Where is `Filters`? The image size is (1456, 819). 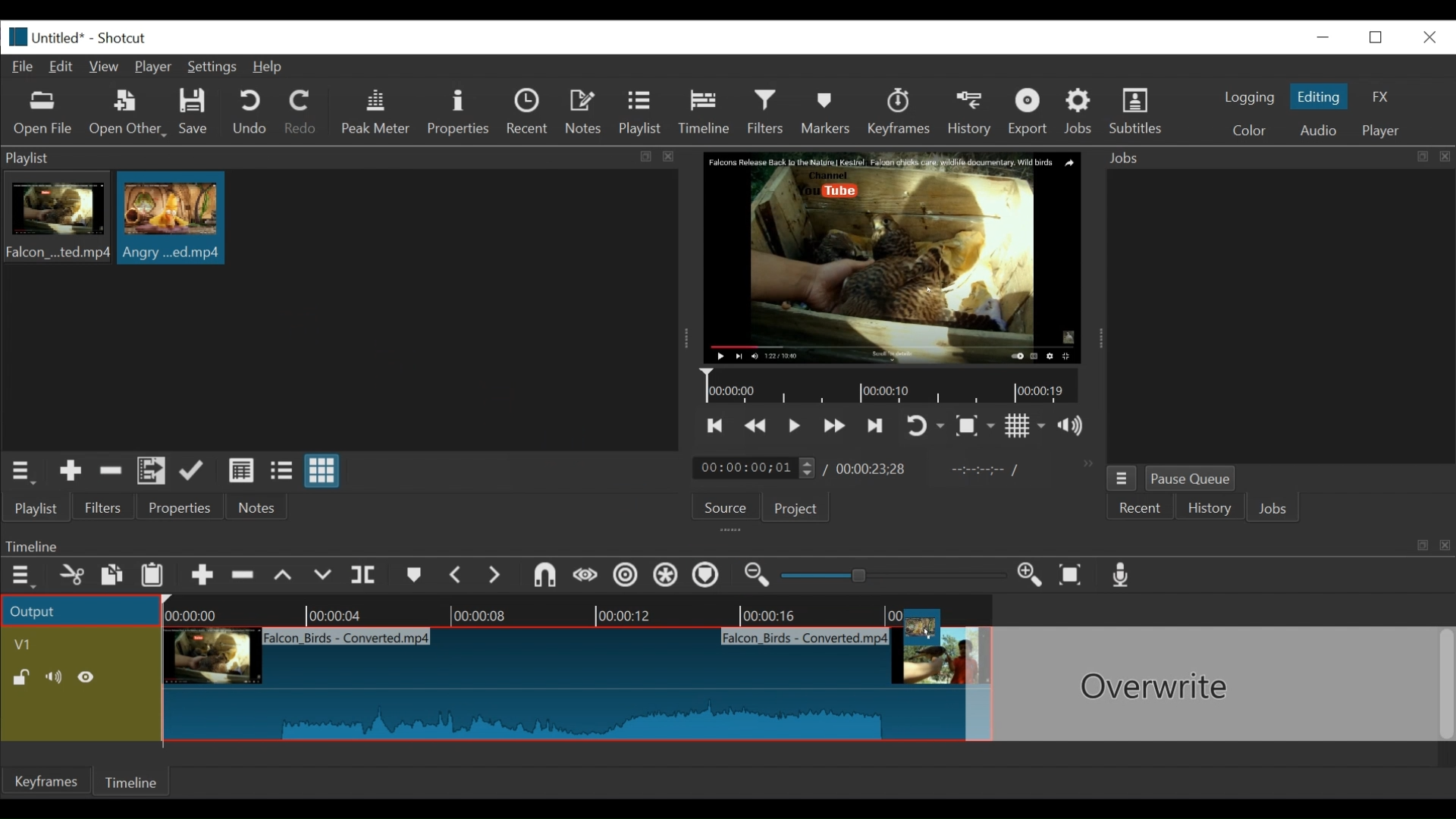
Filters is located at coordinates (104, 508).